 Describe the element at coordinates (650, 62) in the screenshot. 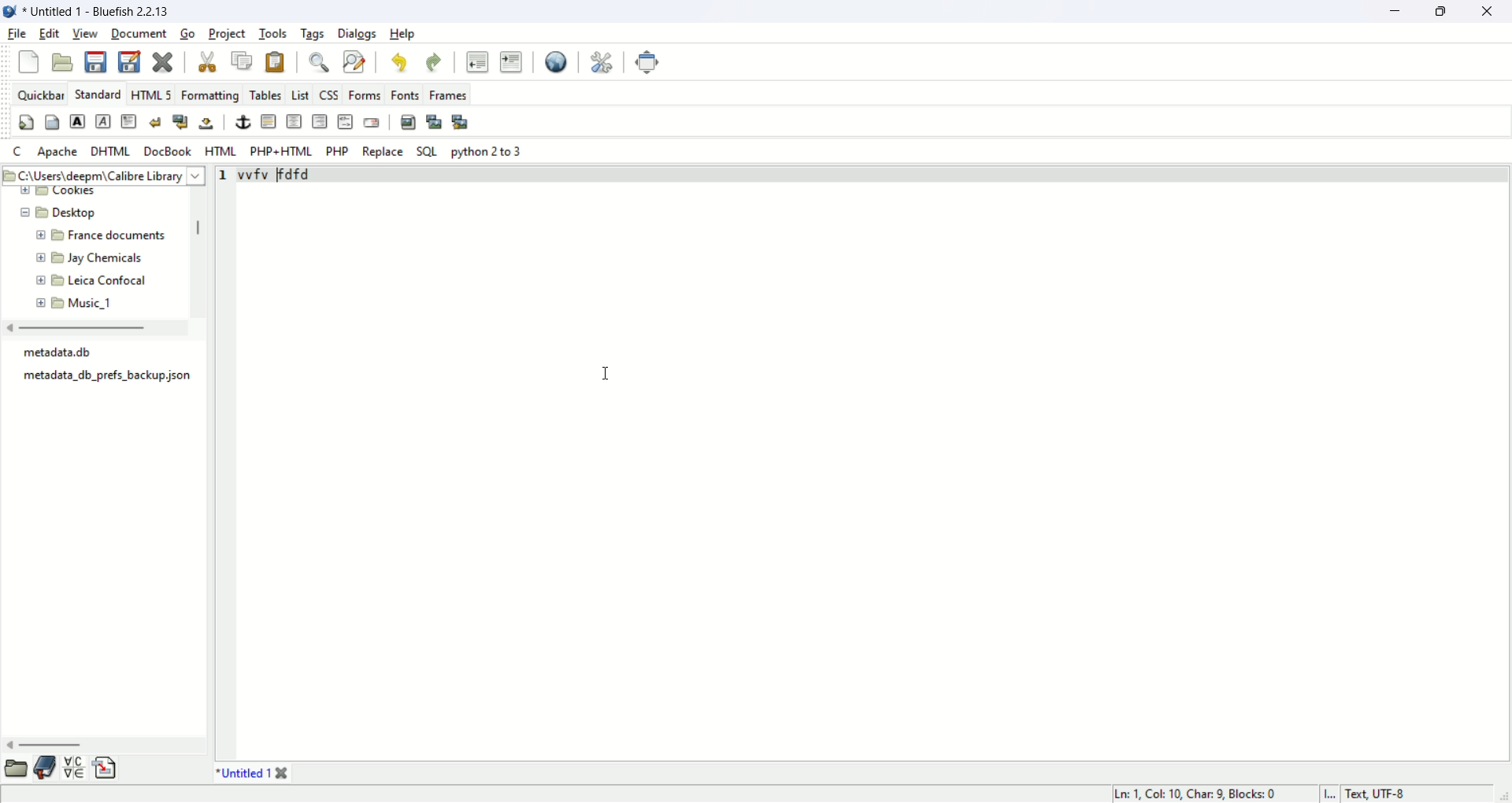

I see `fullscreen` at that location.